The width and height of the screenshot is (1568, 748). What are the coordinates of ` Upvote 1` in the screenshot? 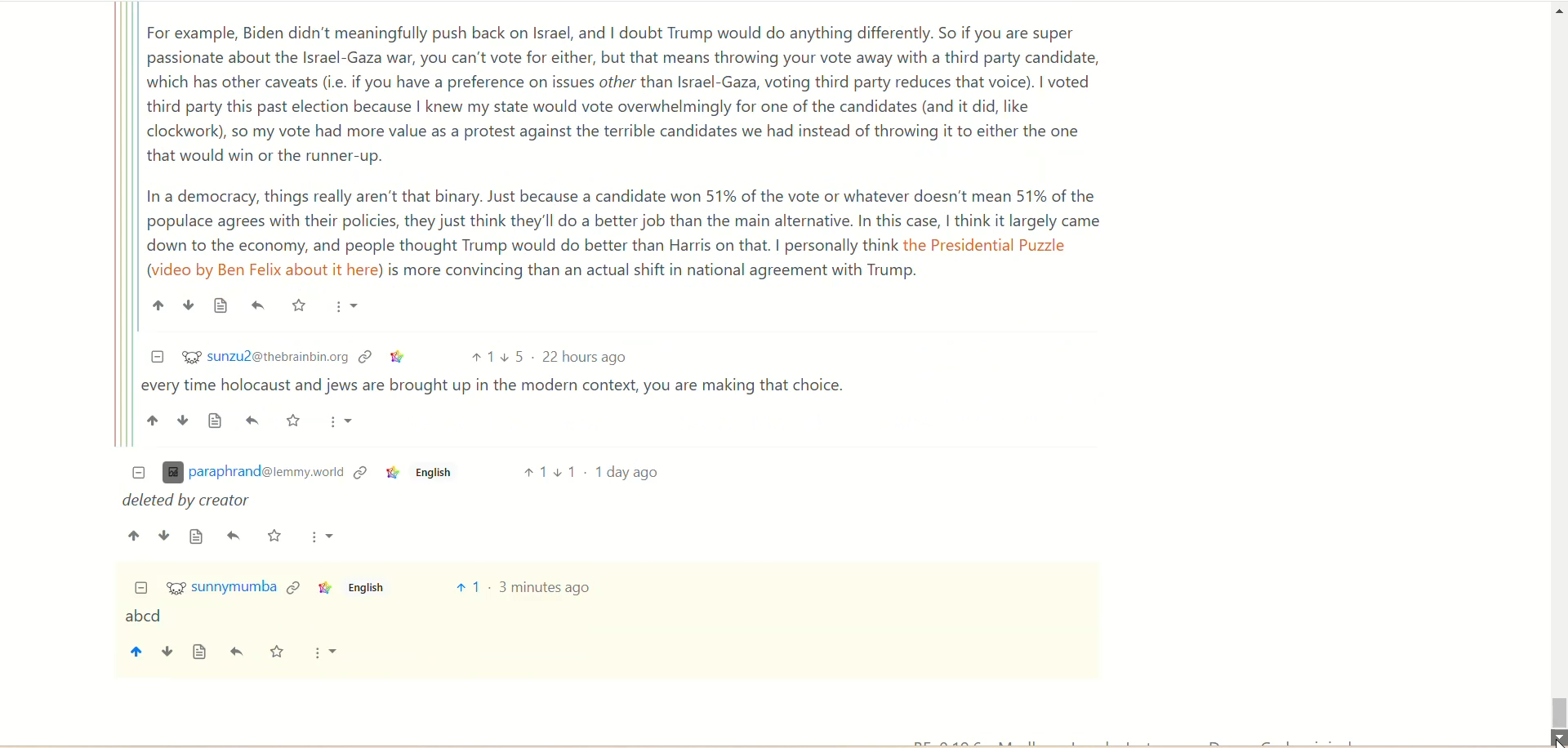 It's located at (534, 473).